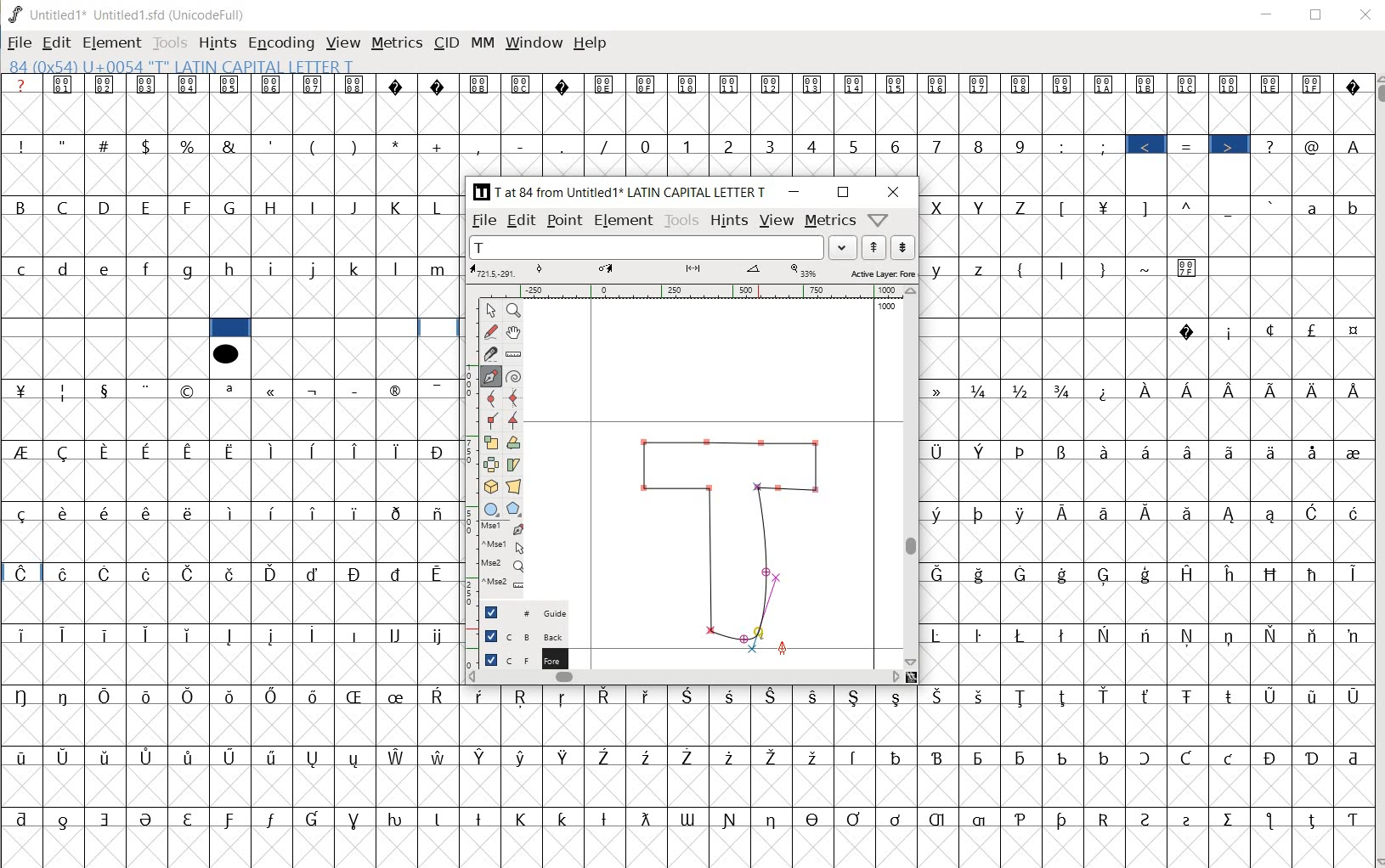 This screenshot has width=1385, height=868. I want to click on Symbol, so click(693, 758).